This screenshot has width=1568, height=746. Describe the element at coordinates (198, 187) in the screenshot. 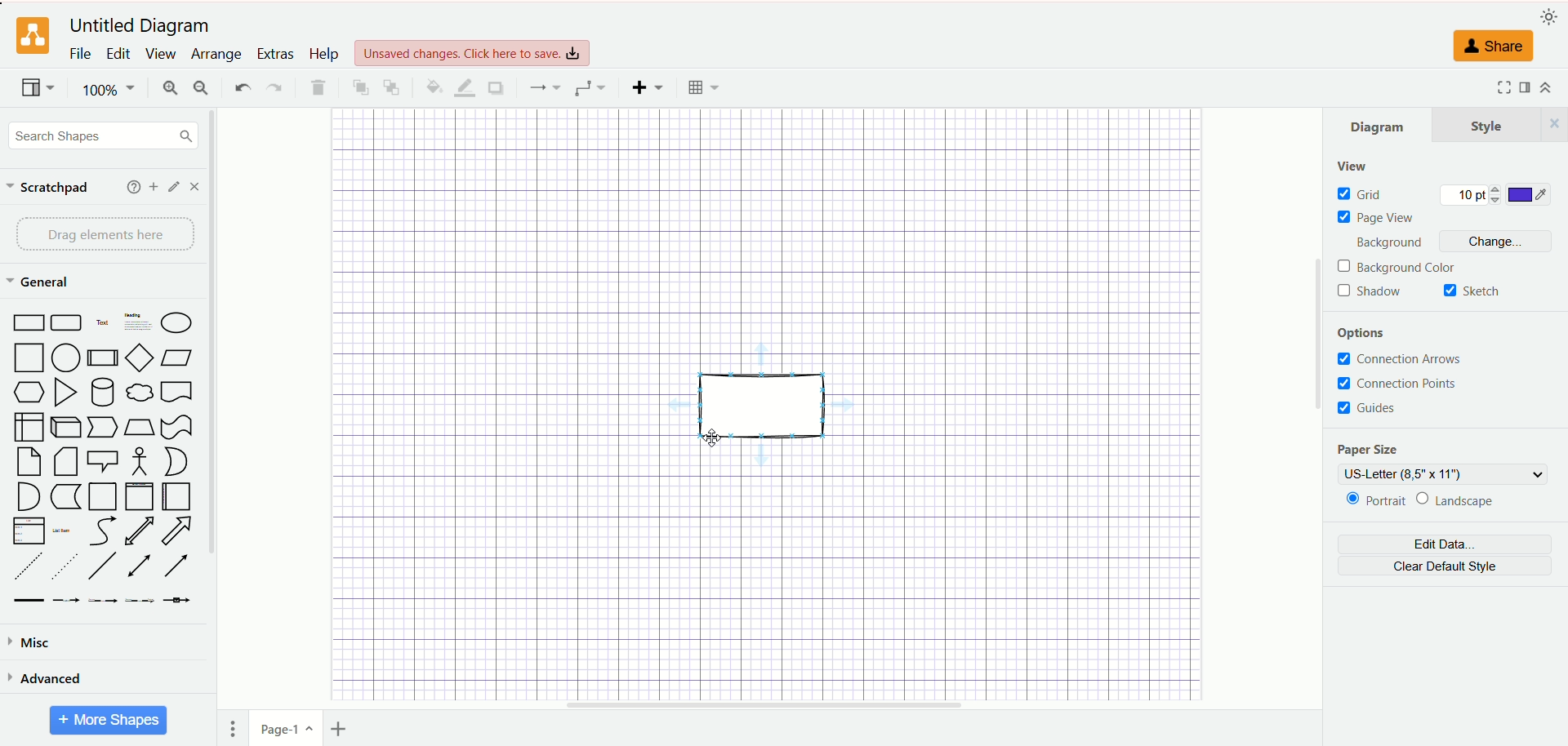

I see `close` at that location.